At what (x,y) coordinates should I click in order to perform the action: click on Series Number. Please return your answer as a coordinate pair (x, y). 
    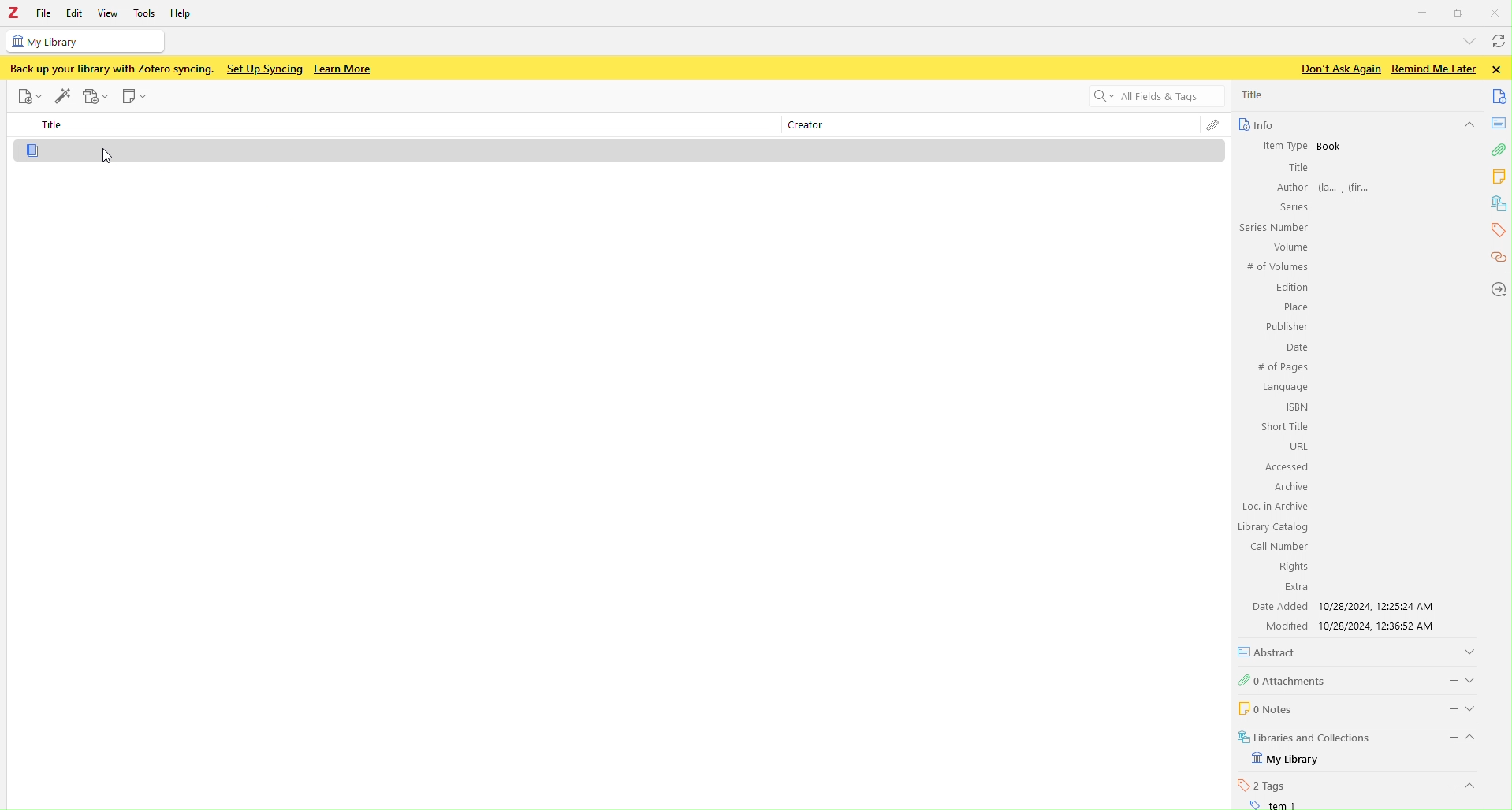
    Looking at the image, I should click on (1272, 228).